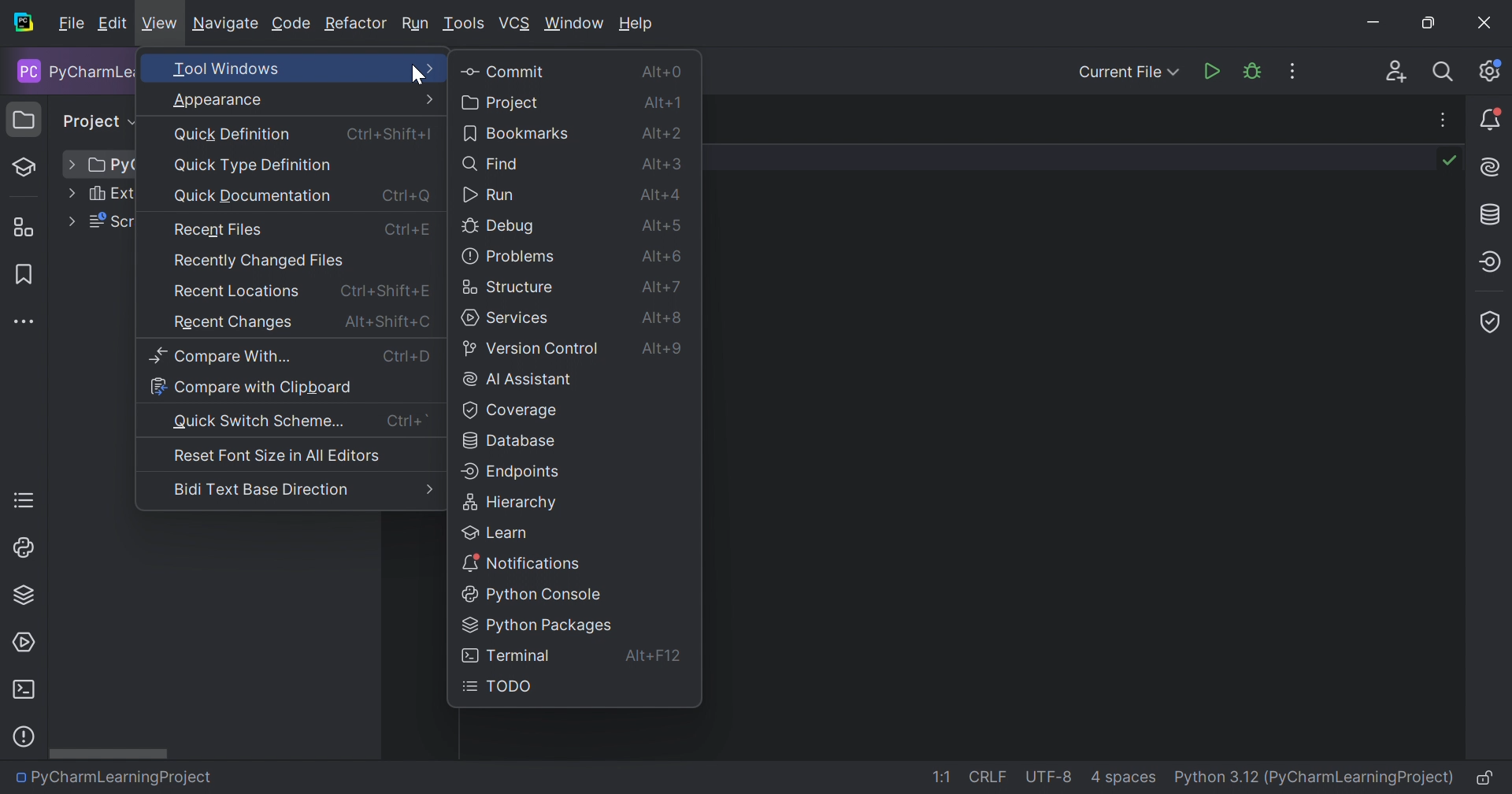  Describe the element at coordinates (71, 193) in the screenshot. I see `Drop down` at that location.